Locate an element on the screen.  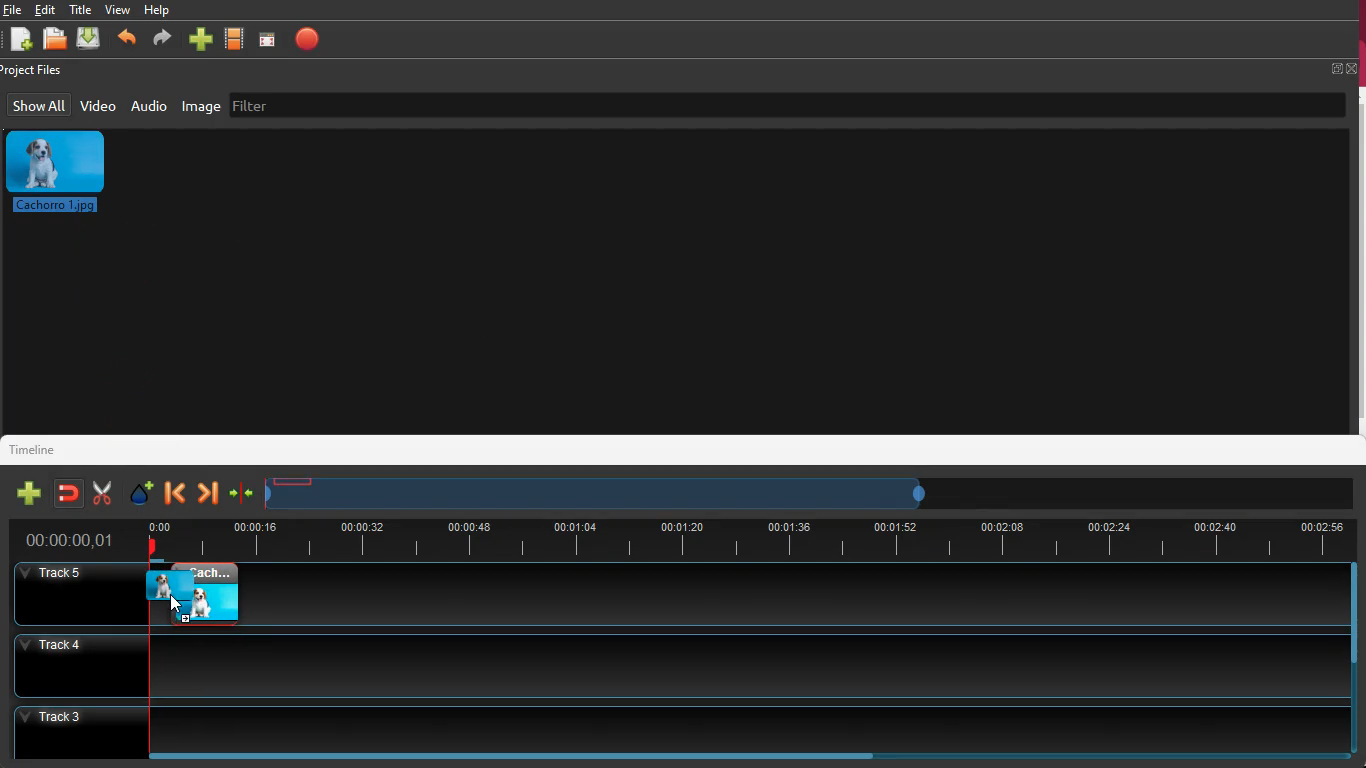
compress is located at coordinates (241, 496).